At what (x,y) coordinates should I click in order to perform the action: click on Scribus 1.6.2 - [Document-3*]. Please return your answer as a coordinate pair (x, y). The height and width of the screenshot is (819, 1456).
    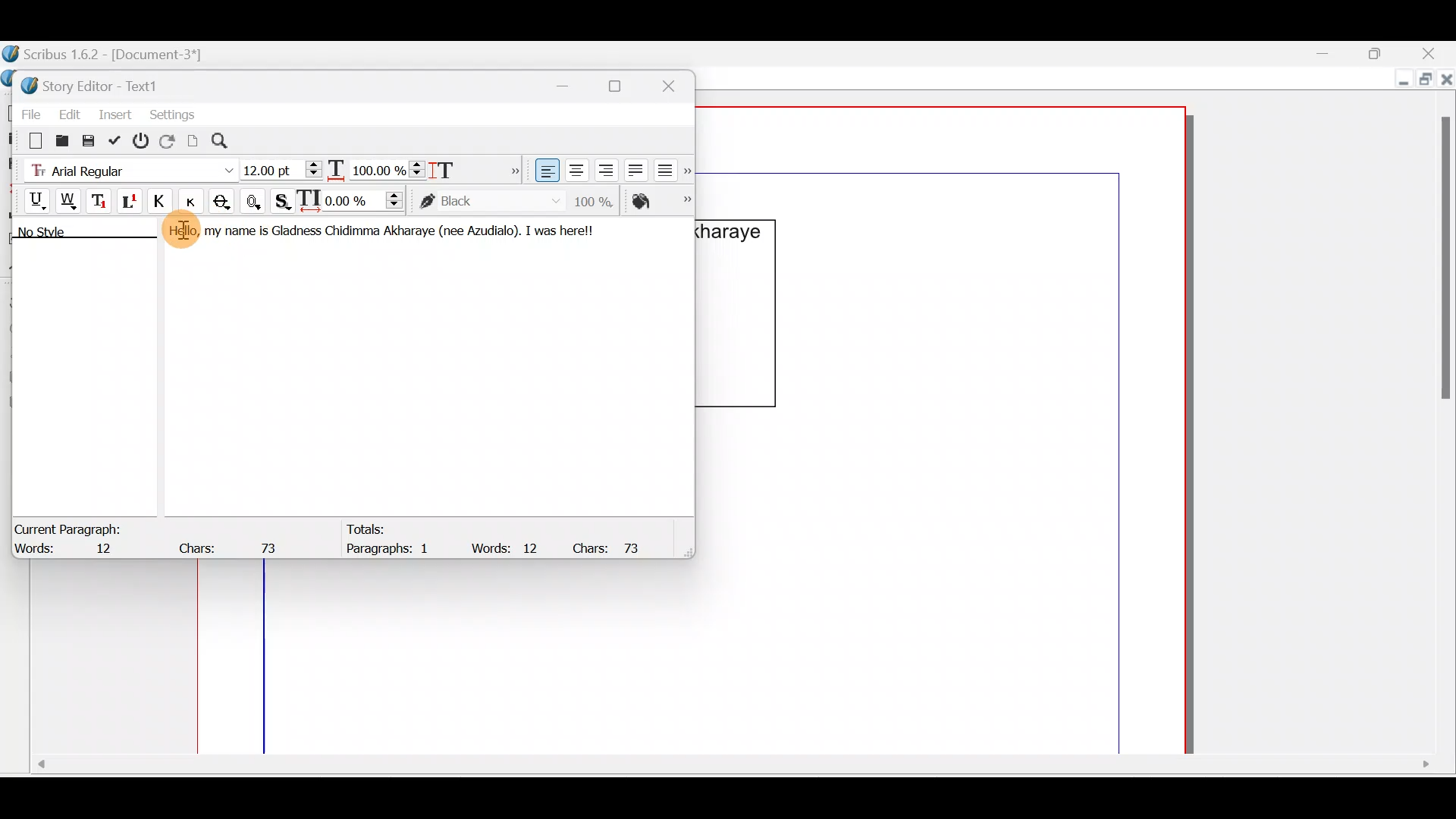
    Looking at the image, I should click on (120, 55).